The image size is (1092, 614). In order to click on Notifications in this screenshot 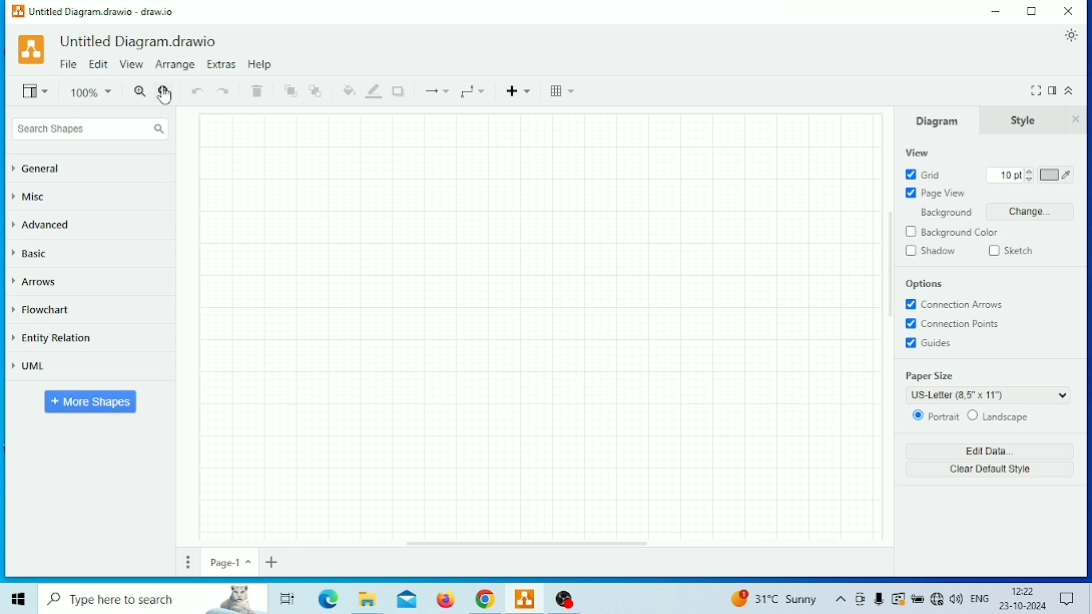, I will do `click(1068, 598)`.